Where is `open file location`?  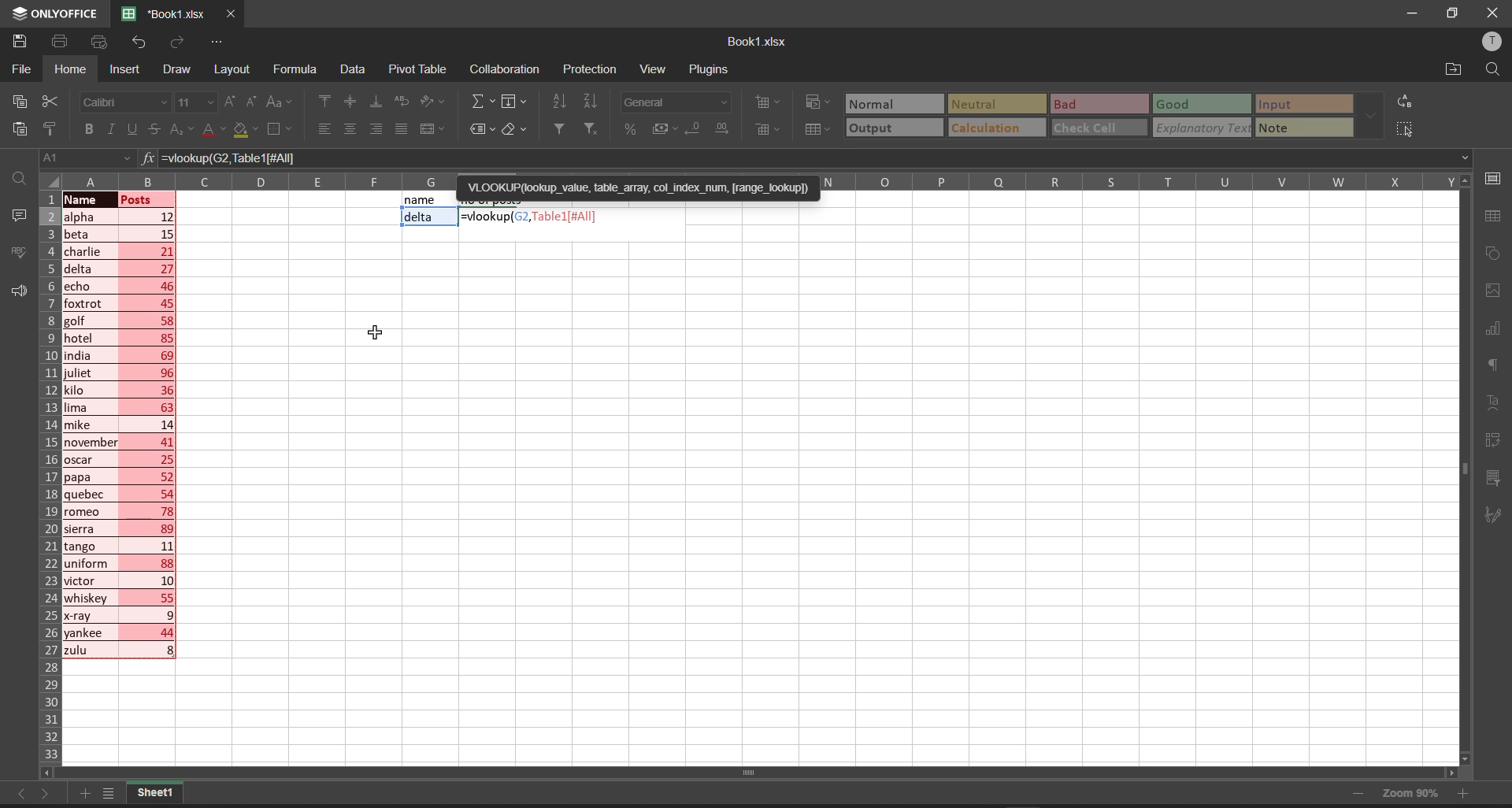
open file location is located at coordinates (1455, 68).